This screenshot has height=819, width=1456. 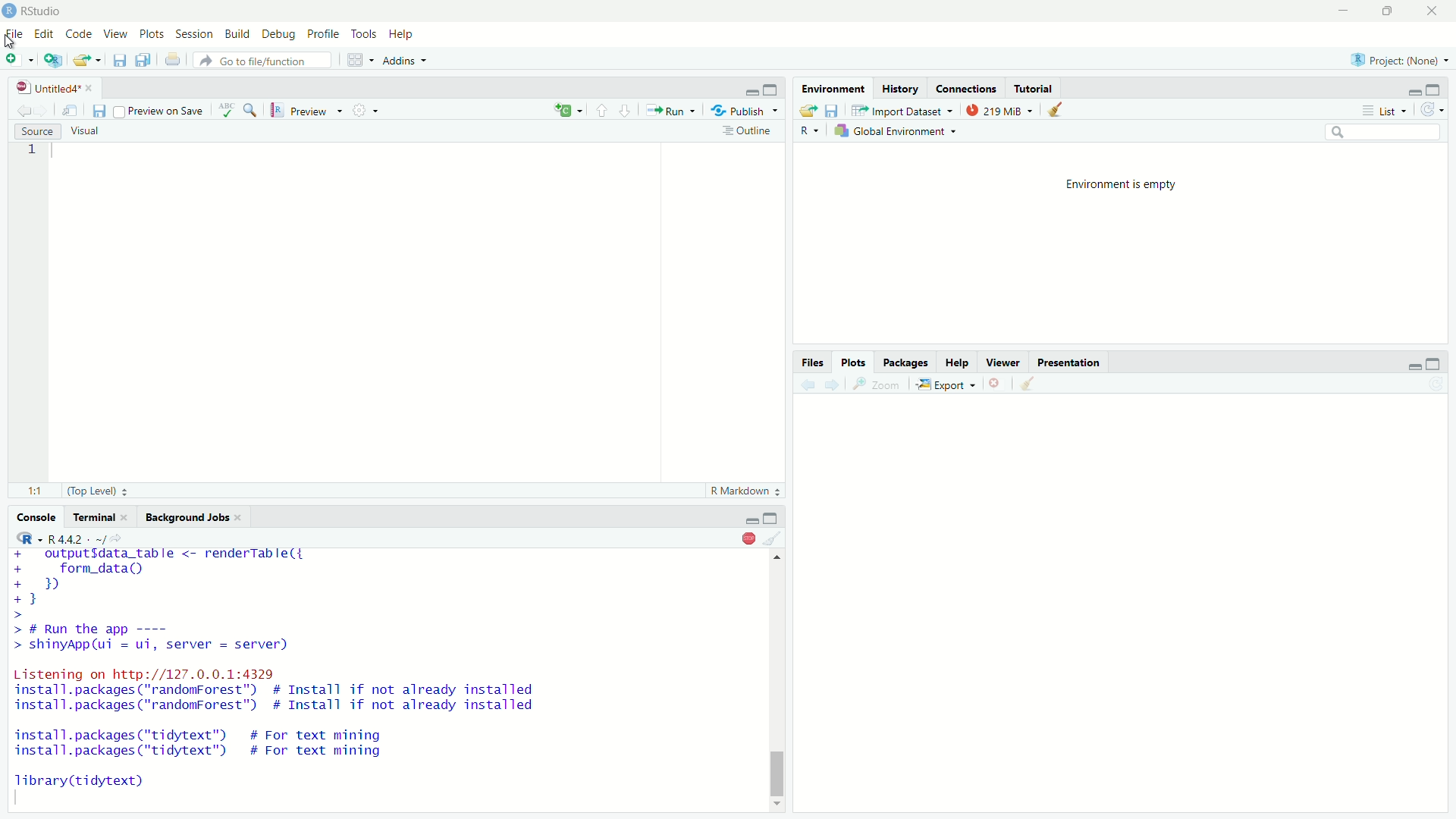 What do you see at coordinates (1002, 362) in the screenshot?
I see `Viewer` at bounding box center [1002, 362].